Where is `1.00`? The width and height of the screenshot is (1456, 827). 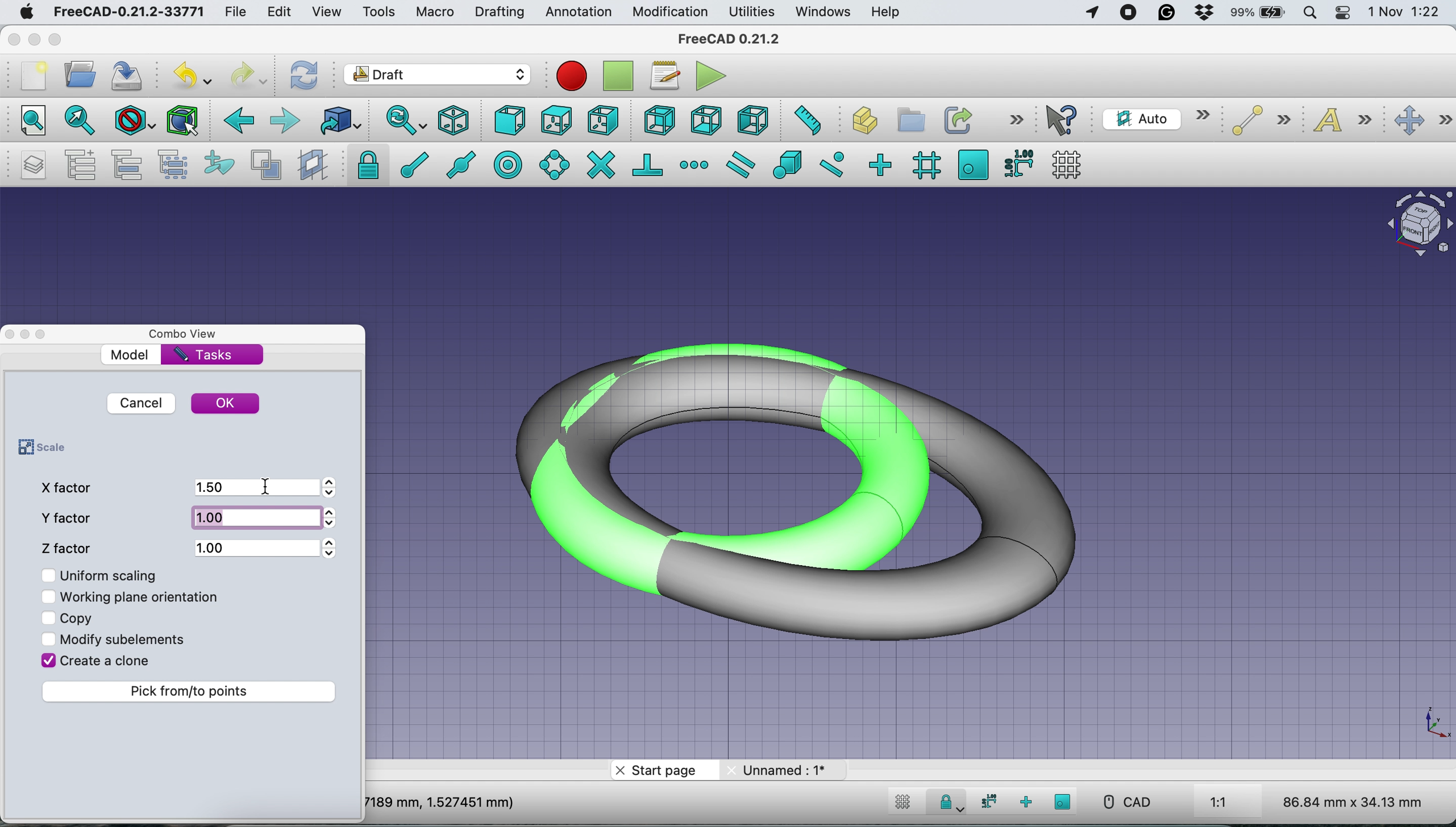 1.00 is located at coordinates (256, 545).